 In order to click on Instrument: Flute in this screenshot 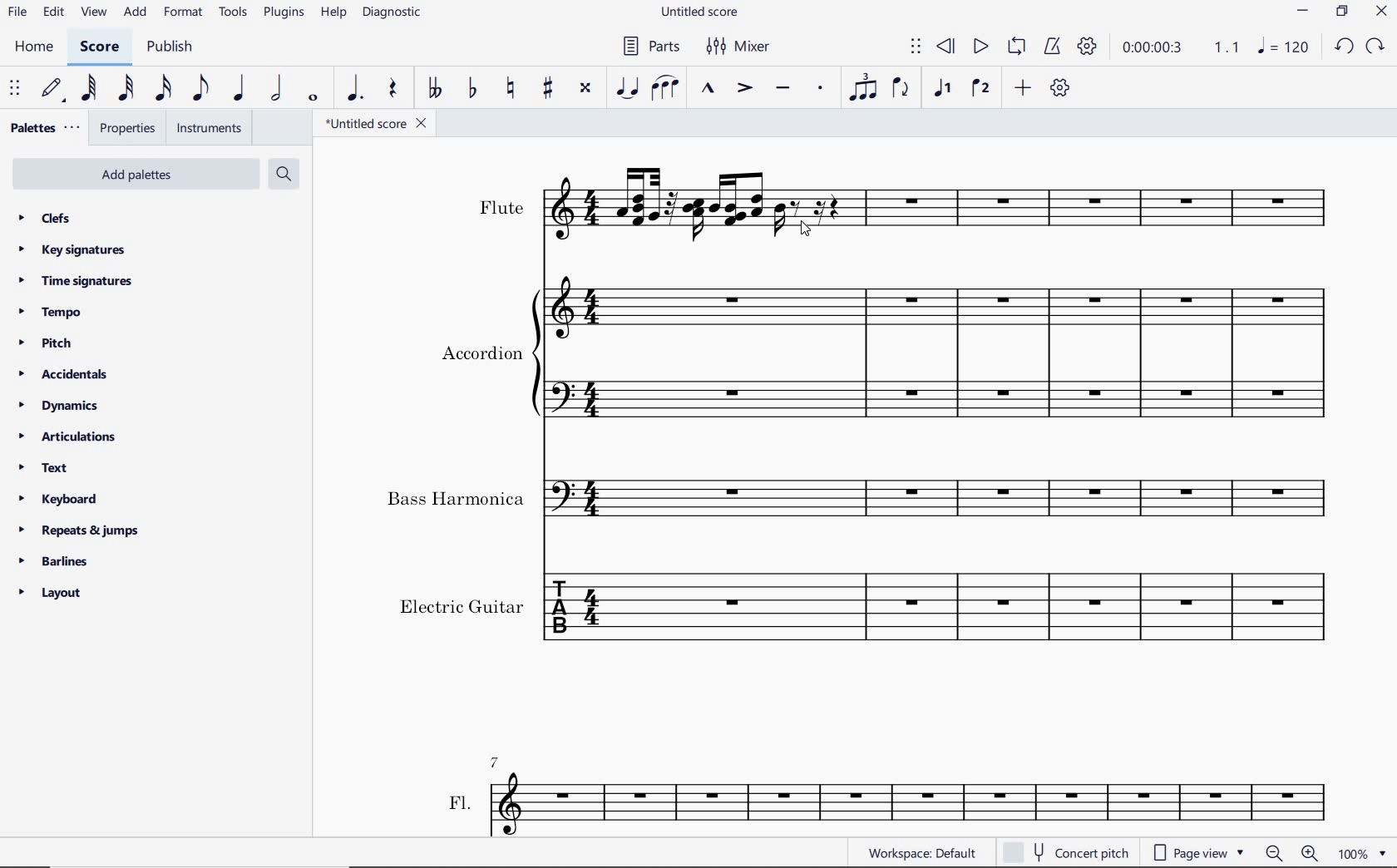, I will do `click(950, 215)`.